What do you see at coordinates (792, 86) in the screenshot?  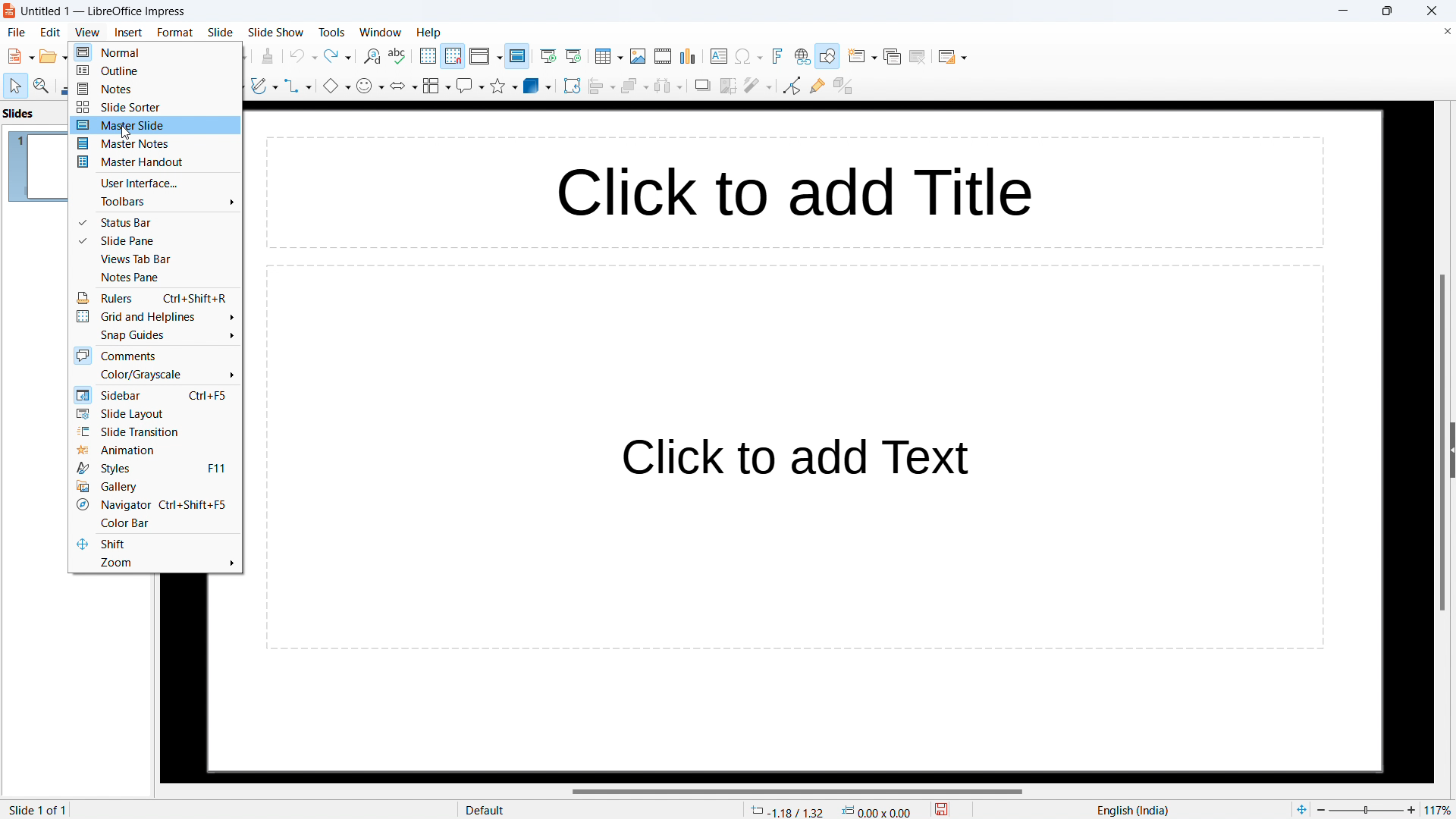 I see `toggle point edit mode` at bounding box center [792, 86].